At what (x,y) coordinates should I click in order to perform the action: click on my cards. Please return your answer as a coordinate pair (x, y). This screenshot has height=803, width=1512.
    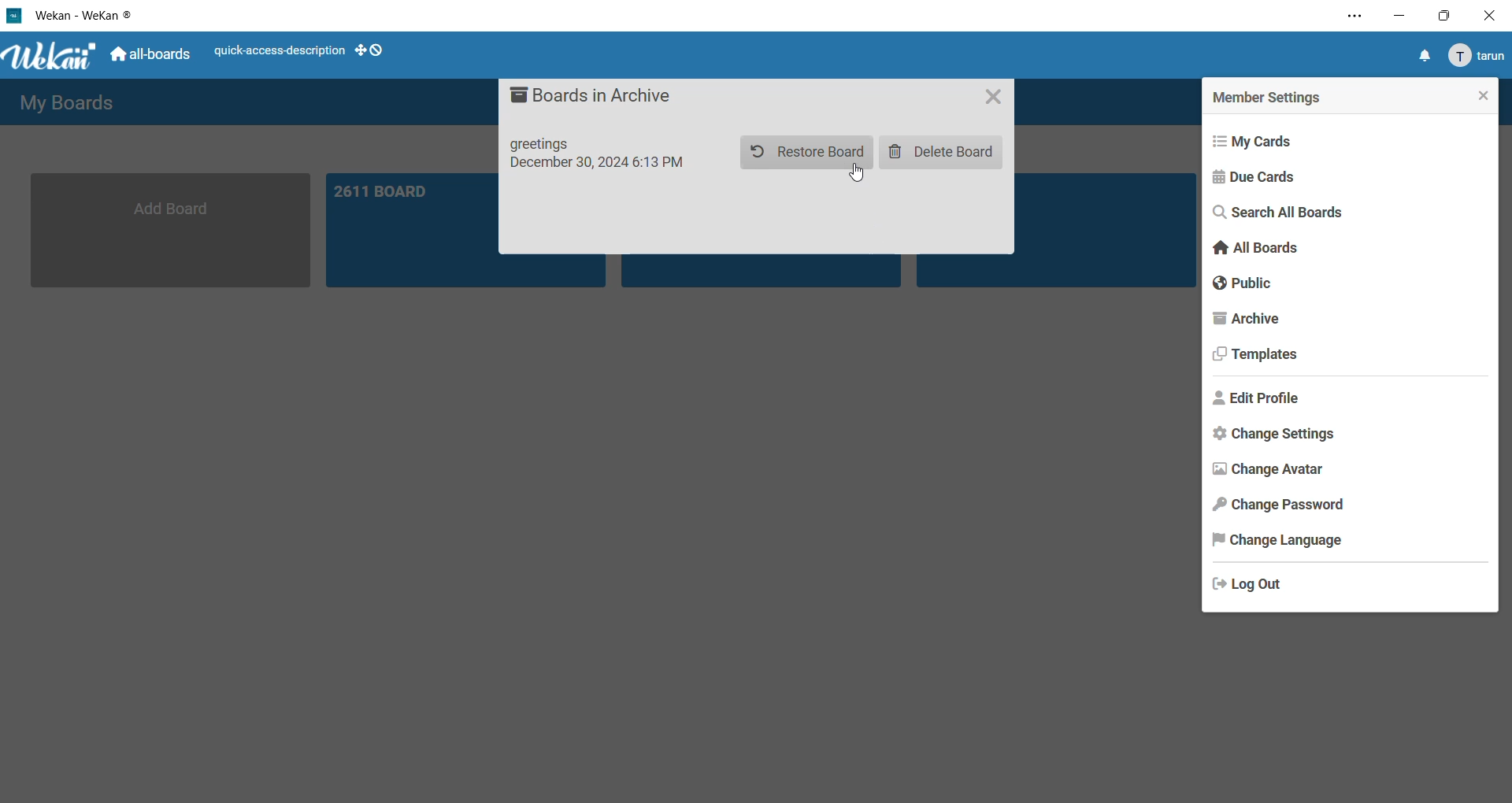
    Looking at the image, I should click on (1262, 139).